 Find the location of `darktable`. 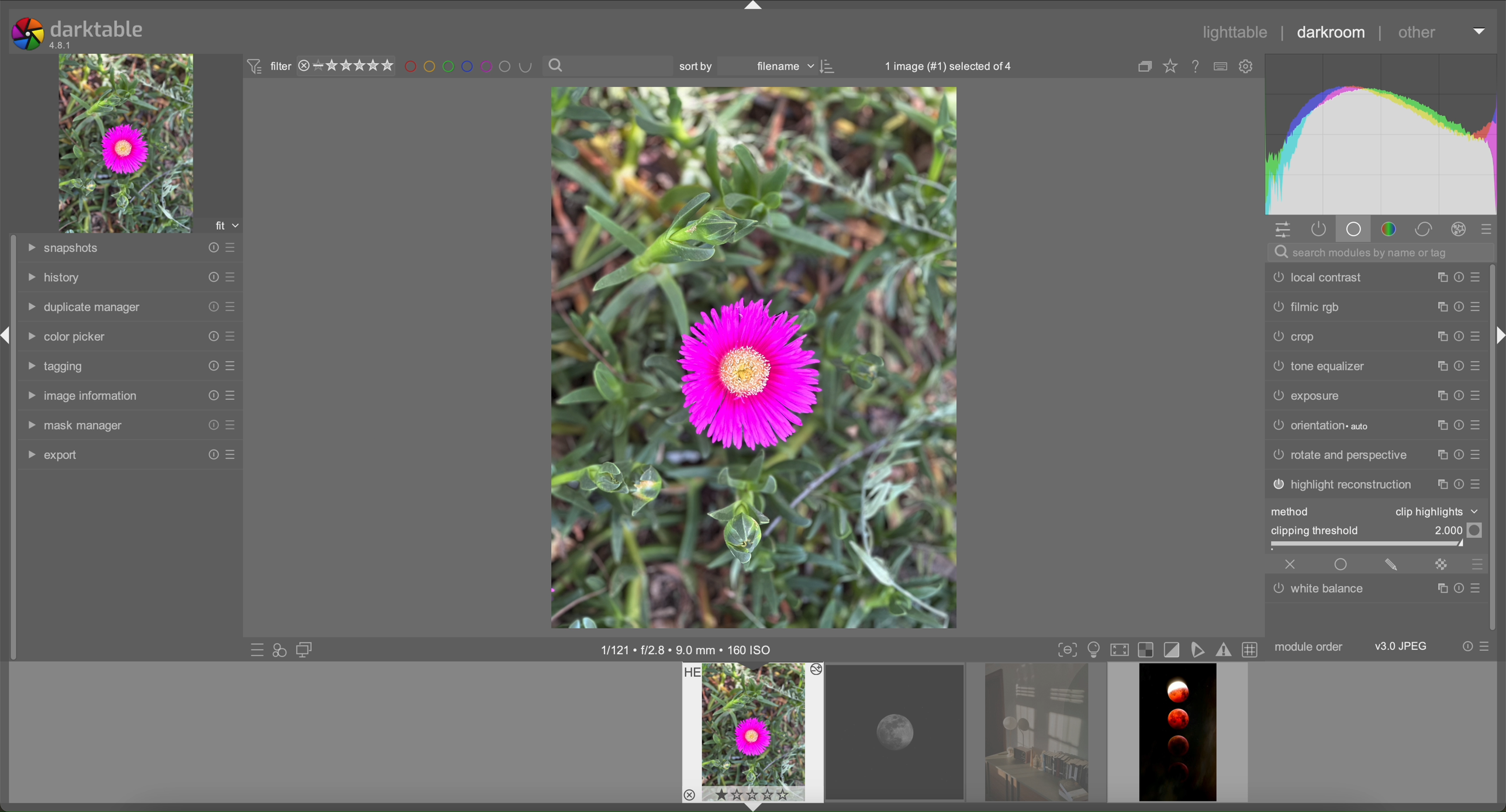

darktable is located at coordinates (98, 29).